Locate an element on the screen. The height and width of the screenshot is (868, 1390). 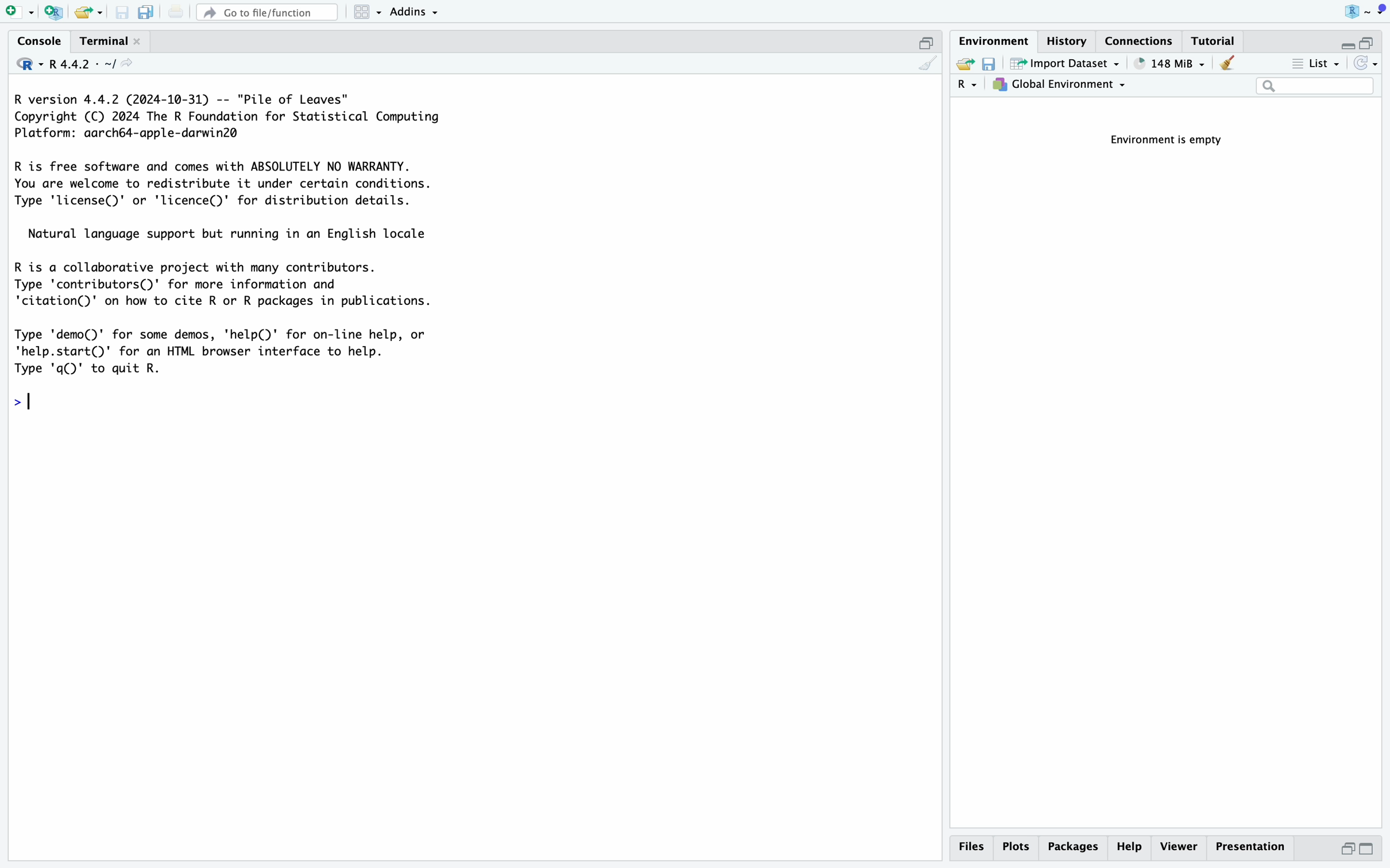
tutorial is located at coordinates (1216, 40).